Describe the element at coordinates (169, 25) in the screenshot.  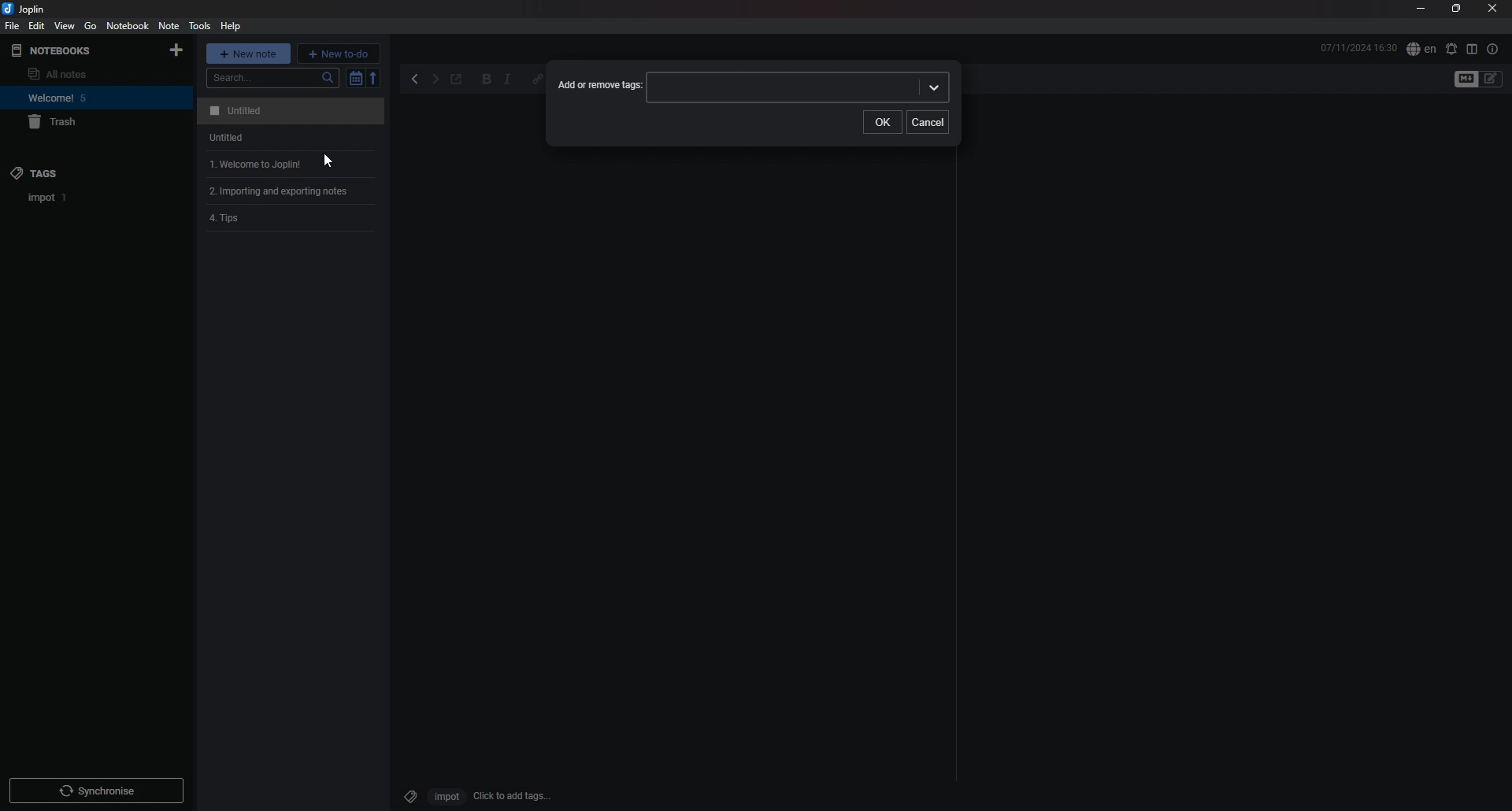
I see `note` at that location.